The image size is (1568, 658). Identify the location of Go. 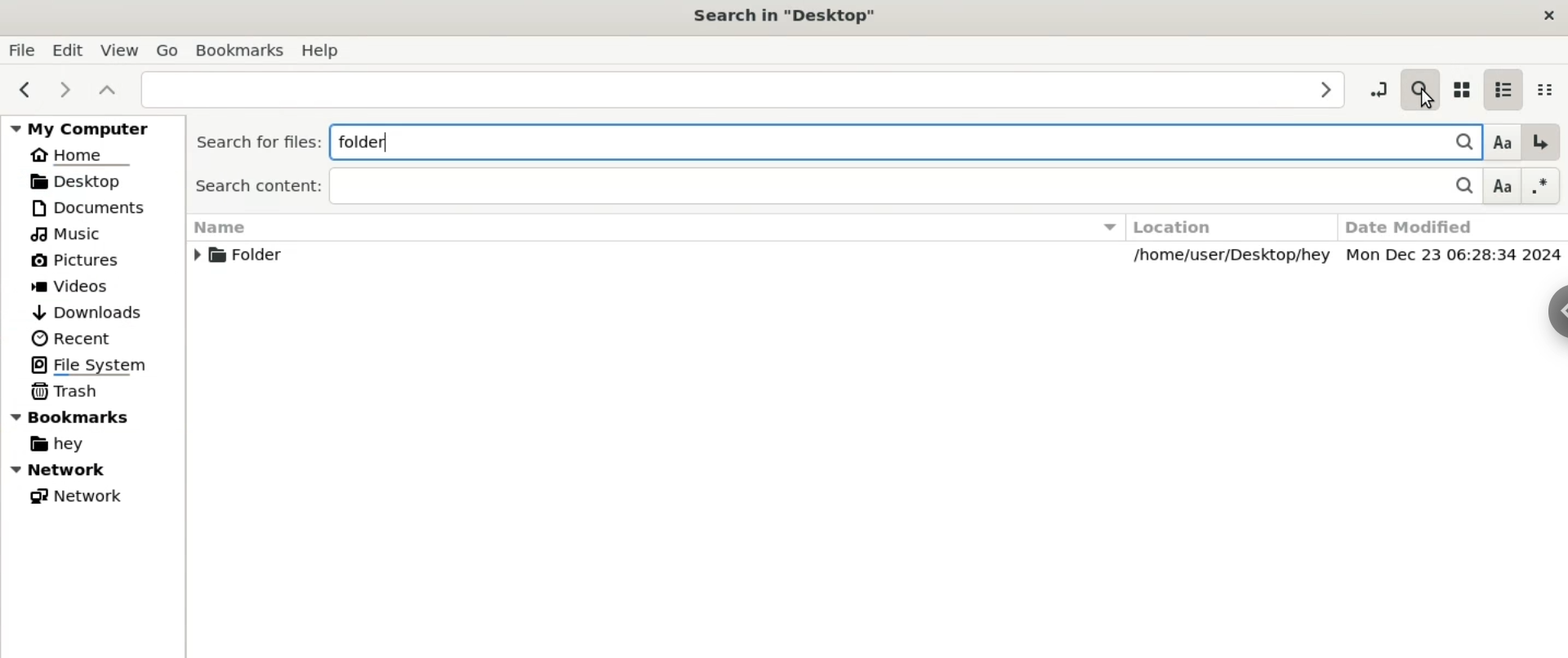
(165, 48).